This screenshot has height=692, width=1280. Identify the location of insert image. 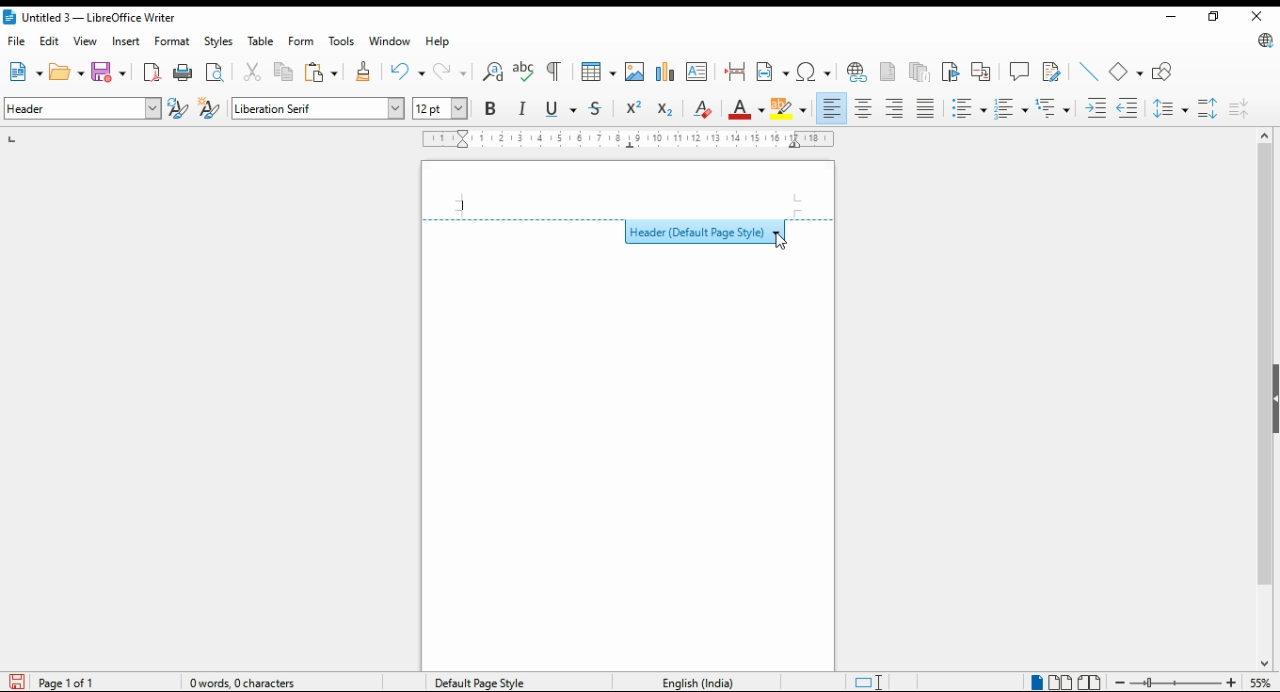
(635, 71).